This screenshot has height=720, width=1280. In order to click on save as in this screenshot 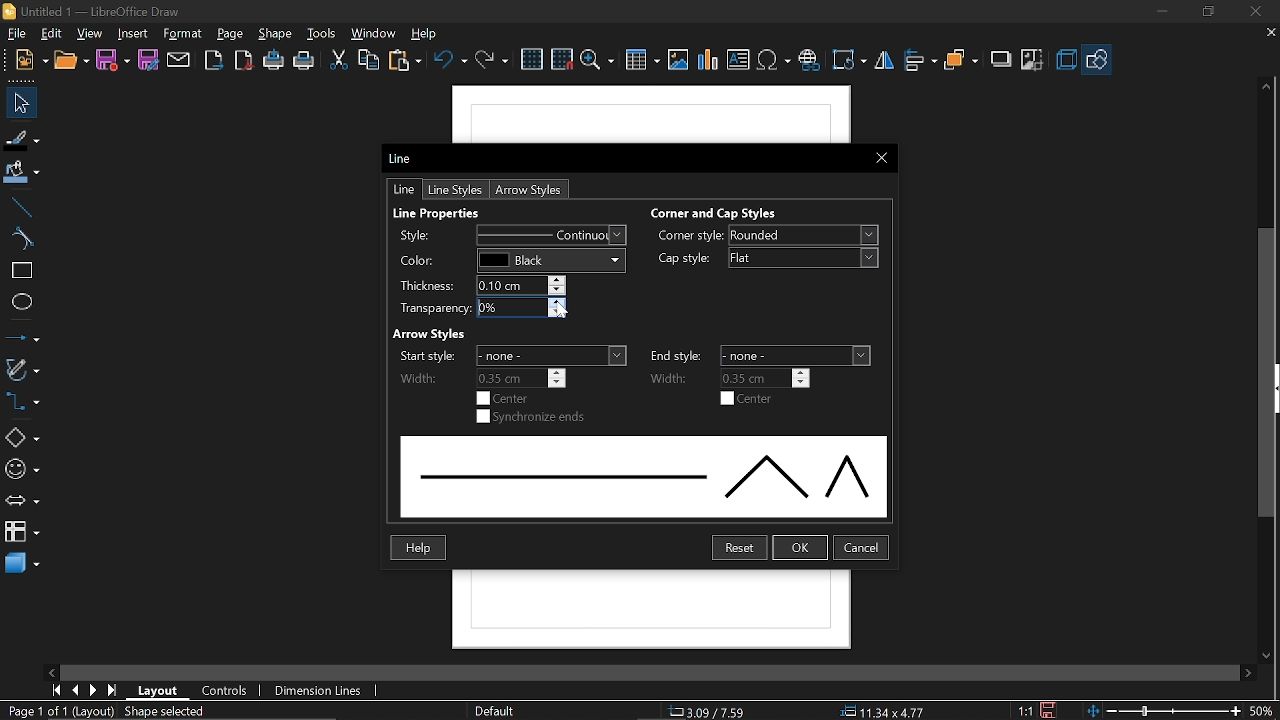, I will do `click(148, 60)`.